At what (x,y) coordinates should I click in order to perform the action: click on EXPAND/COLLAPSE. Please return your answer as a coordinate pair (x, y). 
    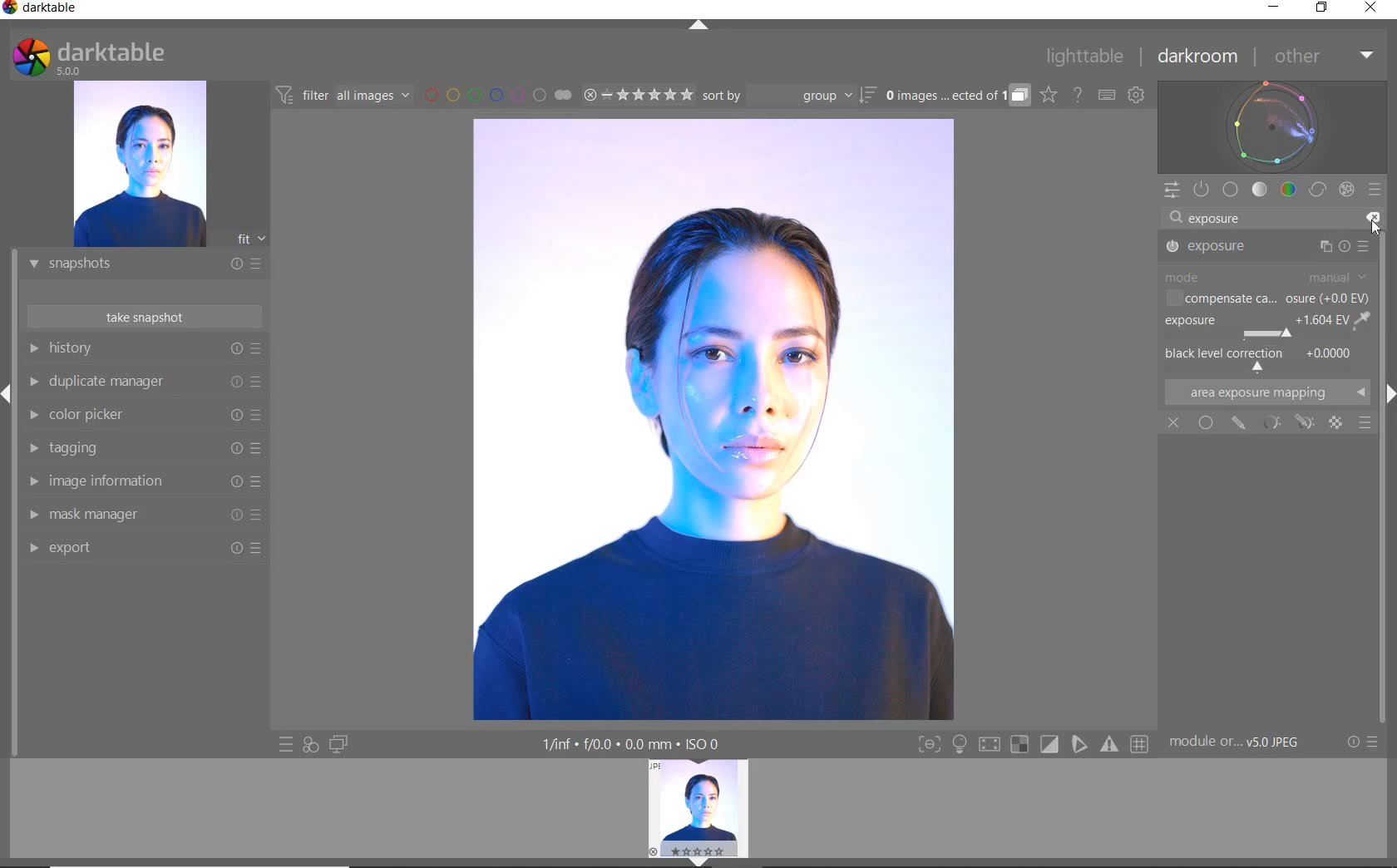
    Looking at the image, I should click on (701, 27).